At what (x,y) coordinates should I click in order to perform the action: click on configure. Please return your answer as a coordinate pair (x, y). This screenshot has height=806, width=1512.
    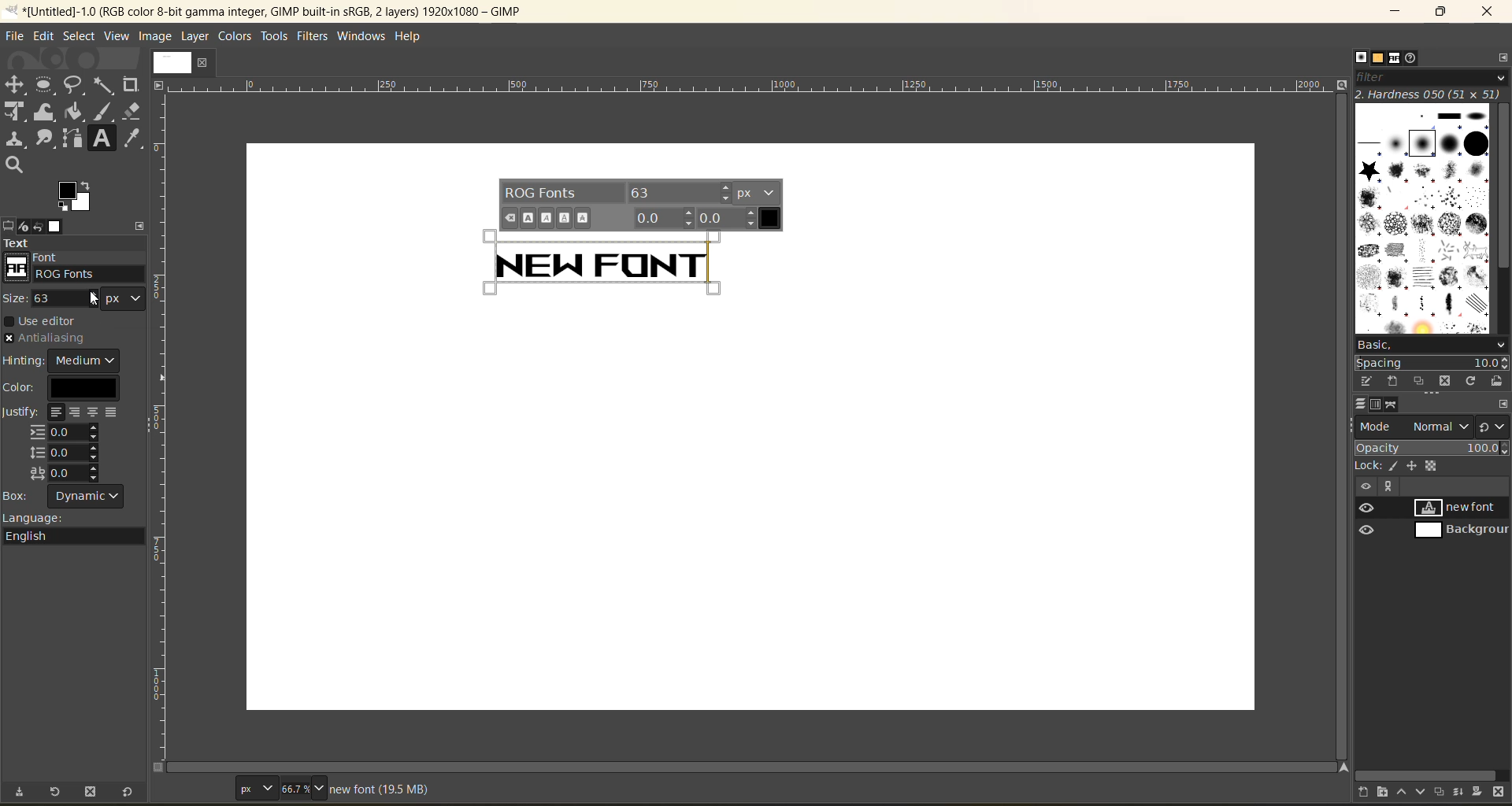
    Looking at the image, I should click on (1502, 57).